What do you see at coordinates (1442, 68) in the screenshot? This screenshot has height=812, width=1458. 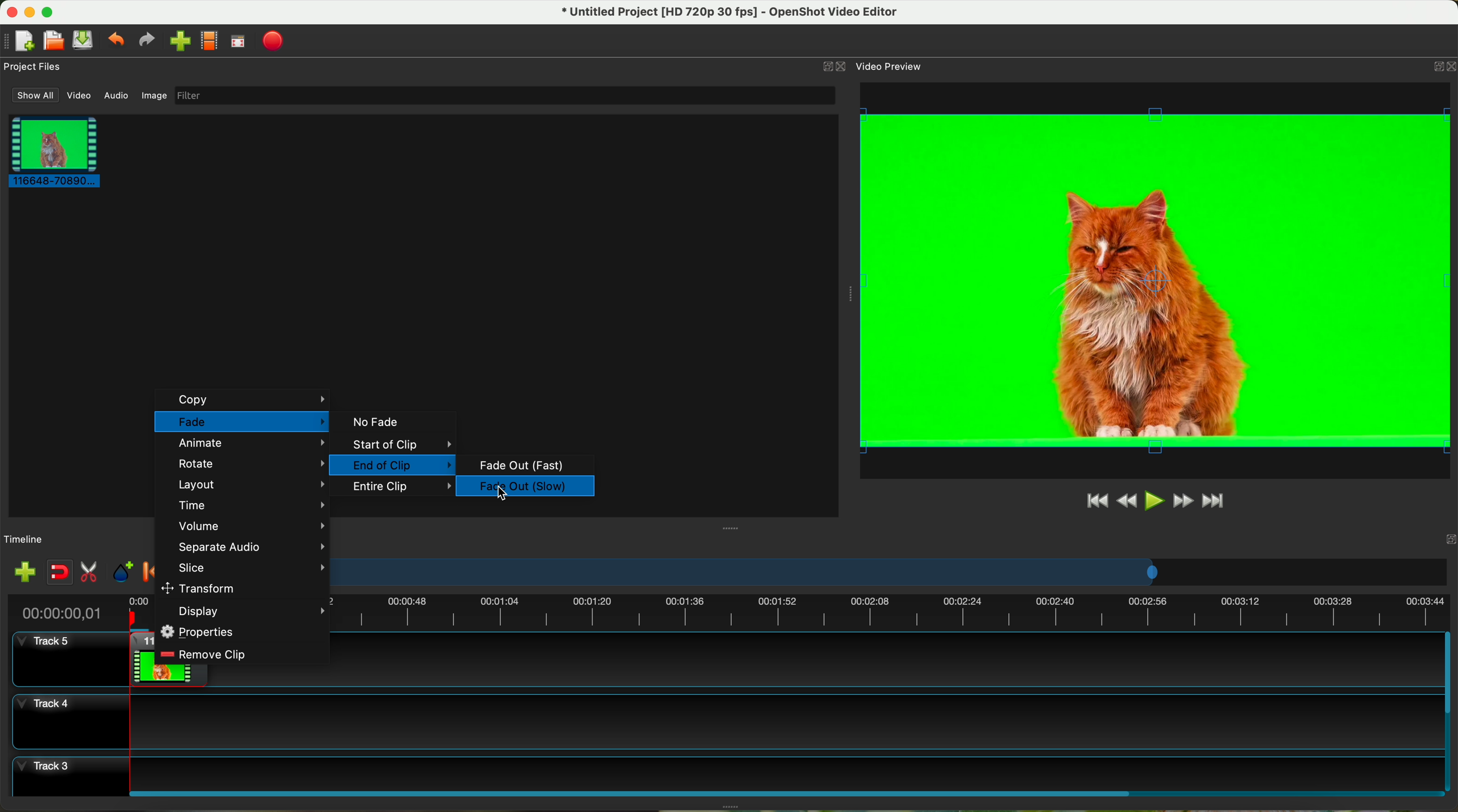 I see `close` at bounding box center [1442, 68].